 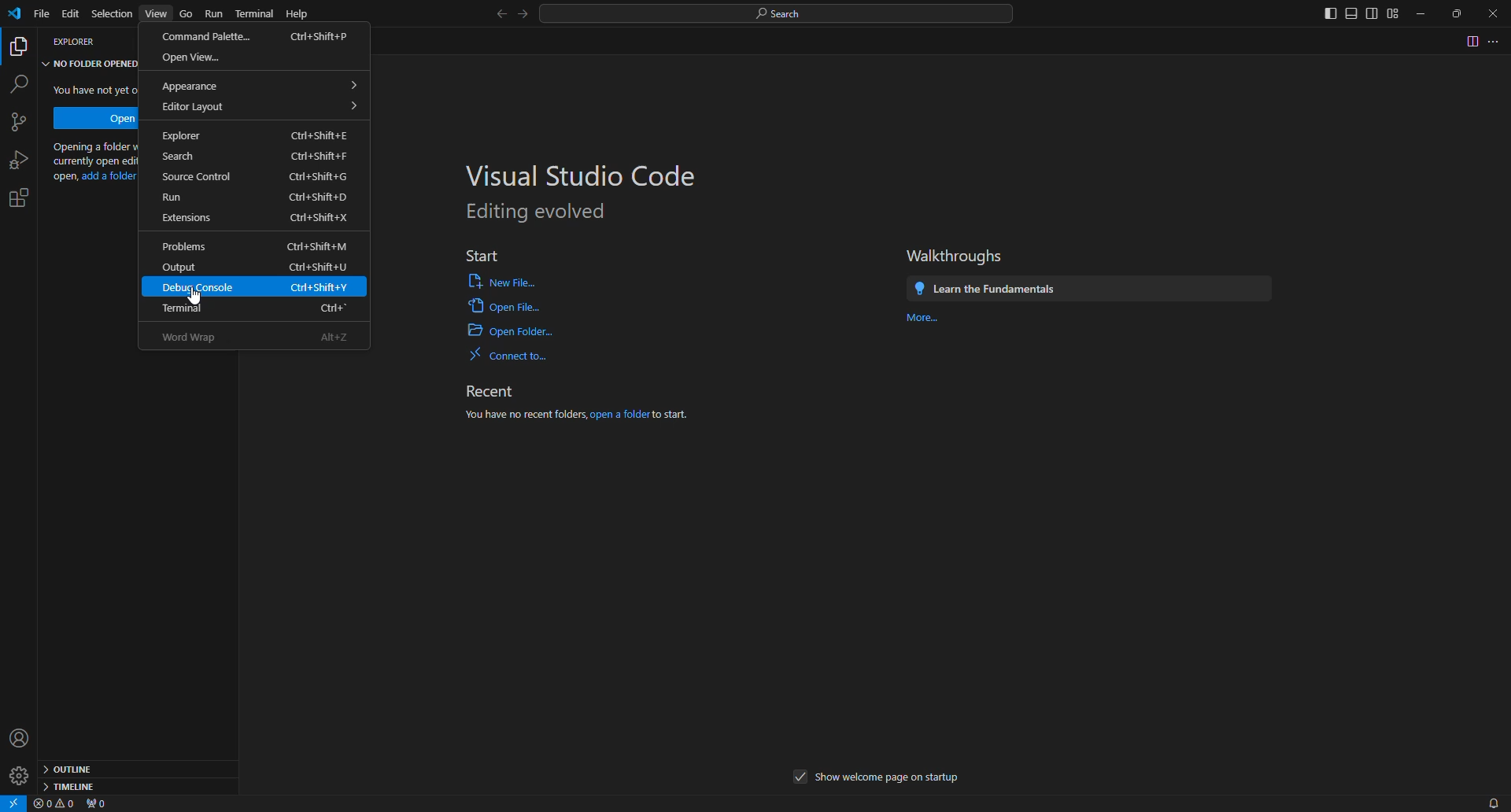 What do you see at coordinates (95, 117) in the screenshot?
I see `Open Folder` at bounding box center [95, 117].